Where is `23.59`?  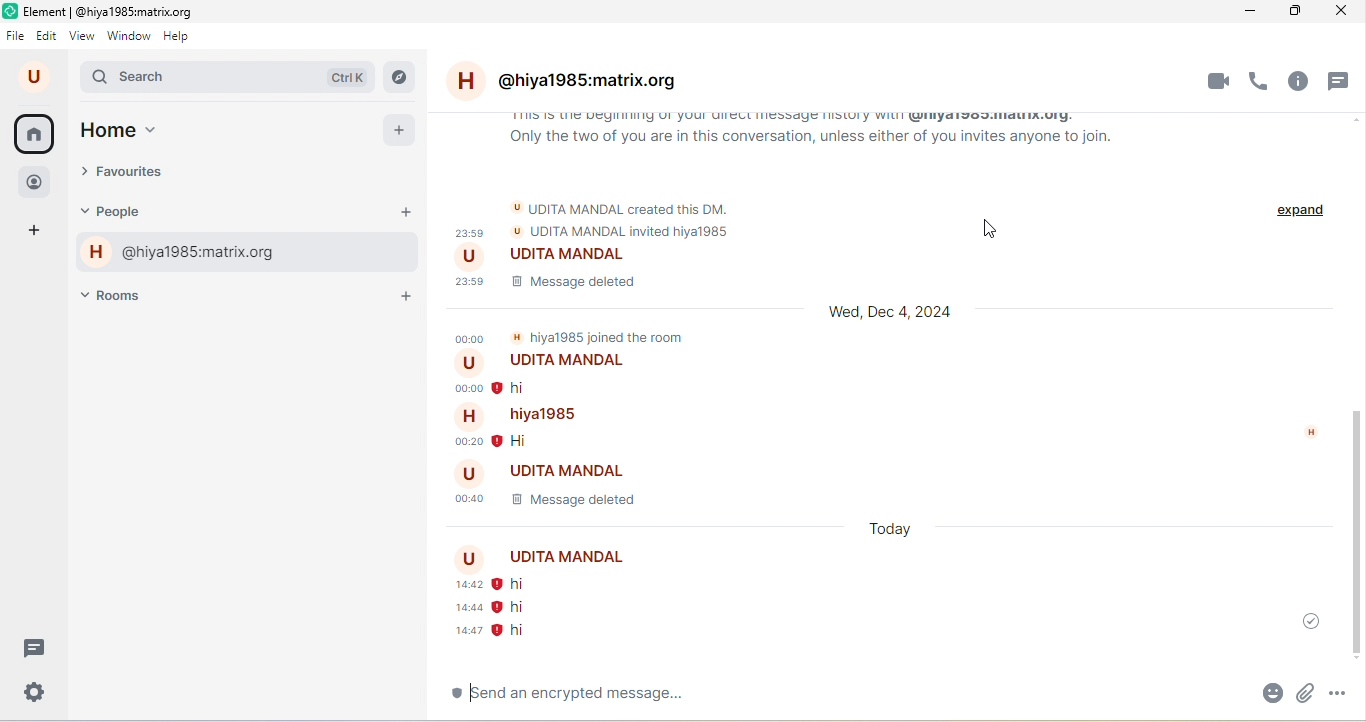 23.59 is located at coordinates (473, 278).